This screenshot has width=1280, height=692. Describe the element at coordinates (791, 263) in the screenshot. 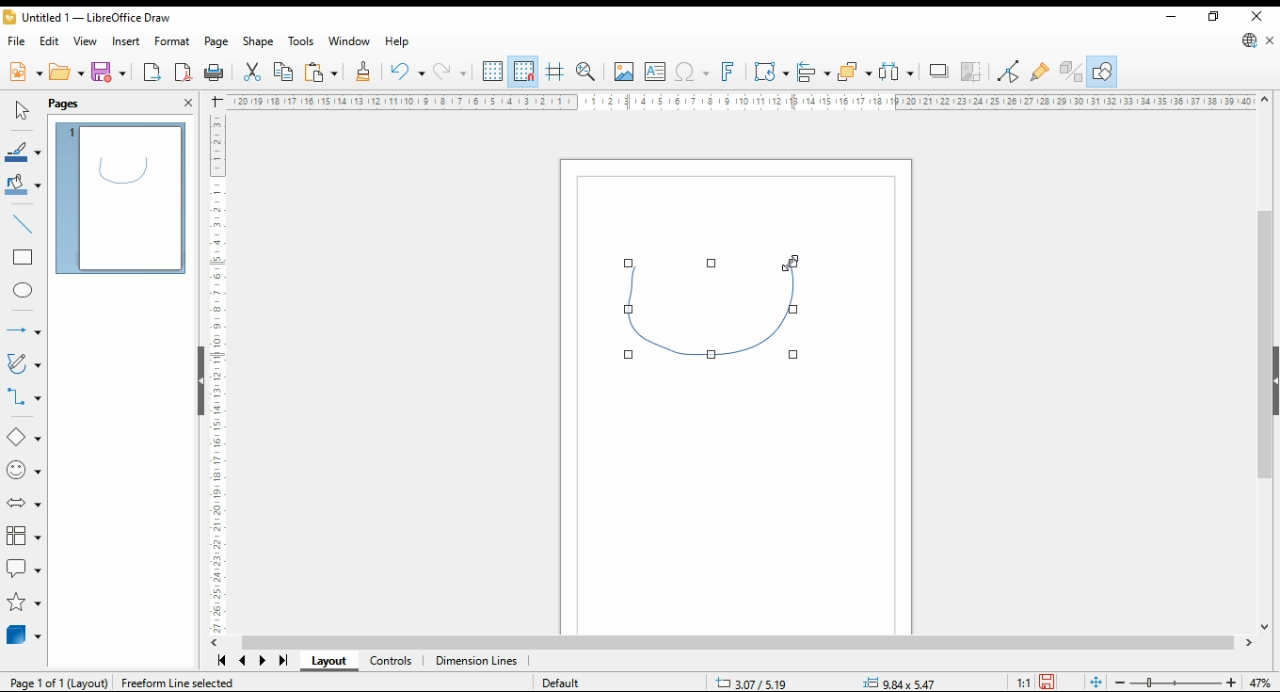

I see `mouse pointer` at that location.